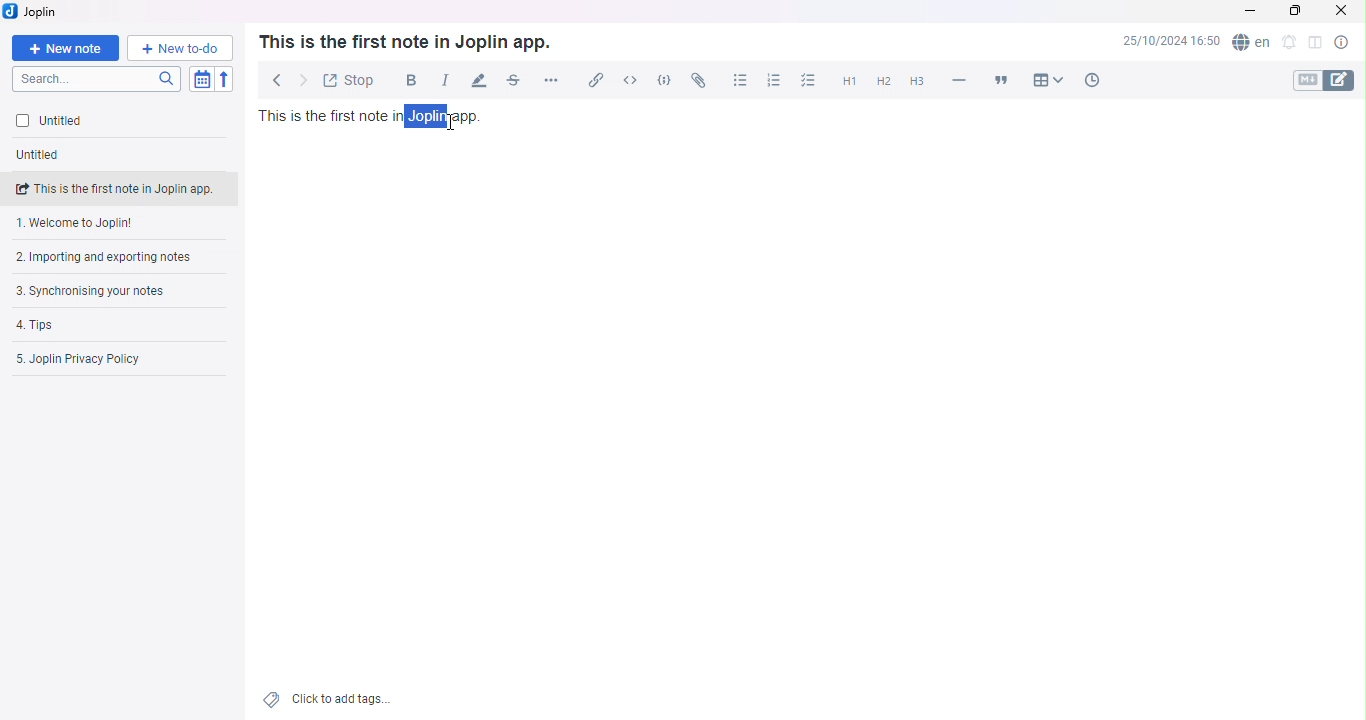  I want to click on Checkbox list, so click(809, 82).